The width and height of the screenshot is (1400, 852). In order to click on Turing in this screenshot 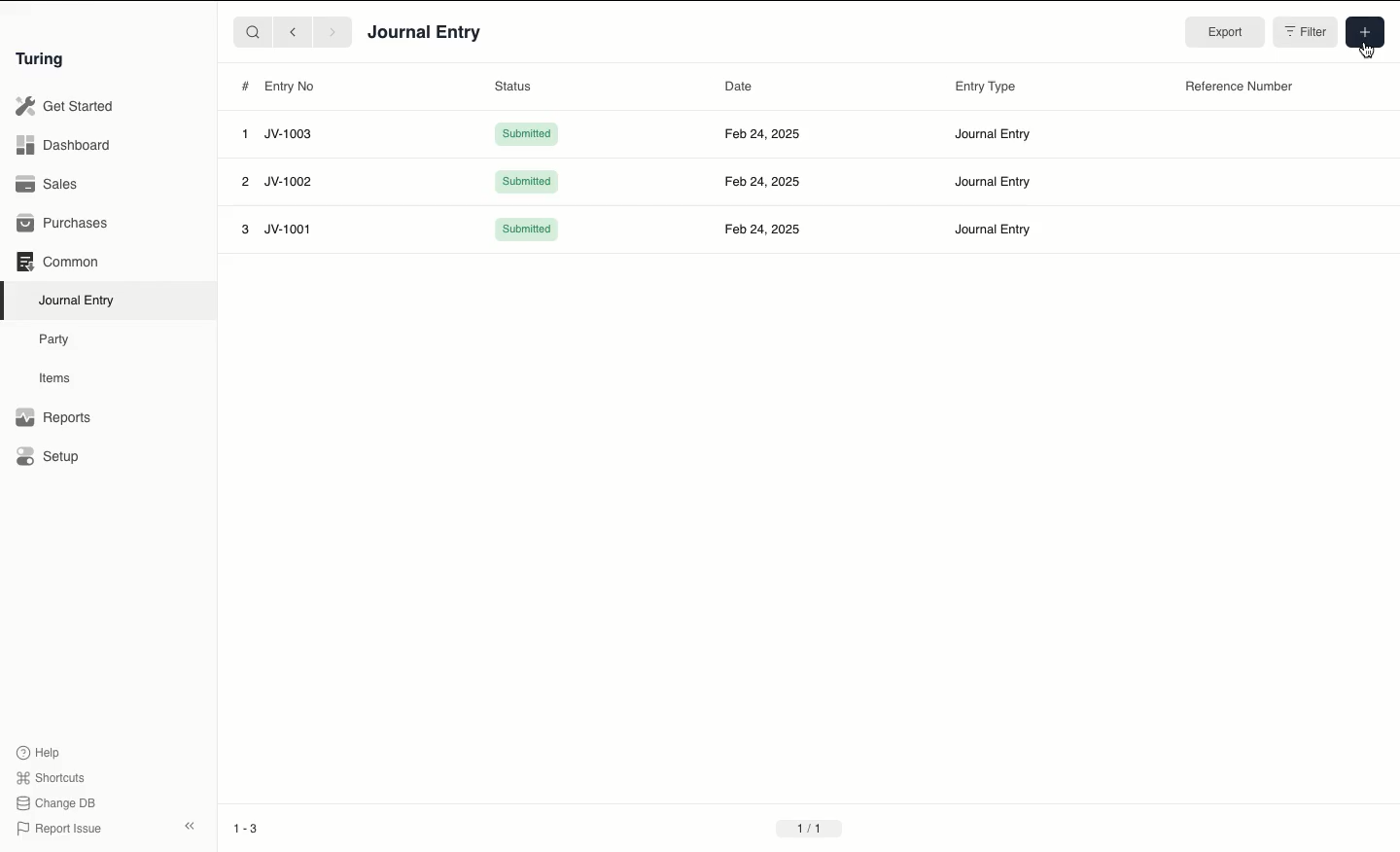, I will do `click(44, 60)`.